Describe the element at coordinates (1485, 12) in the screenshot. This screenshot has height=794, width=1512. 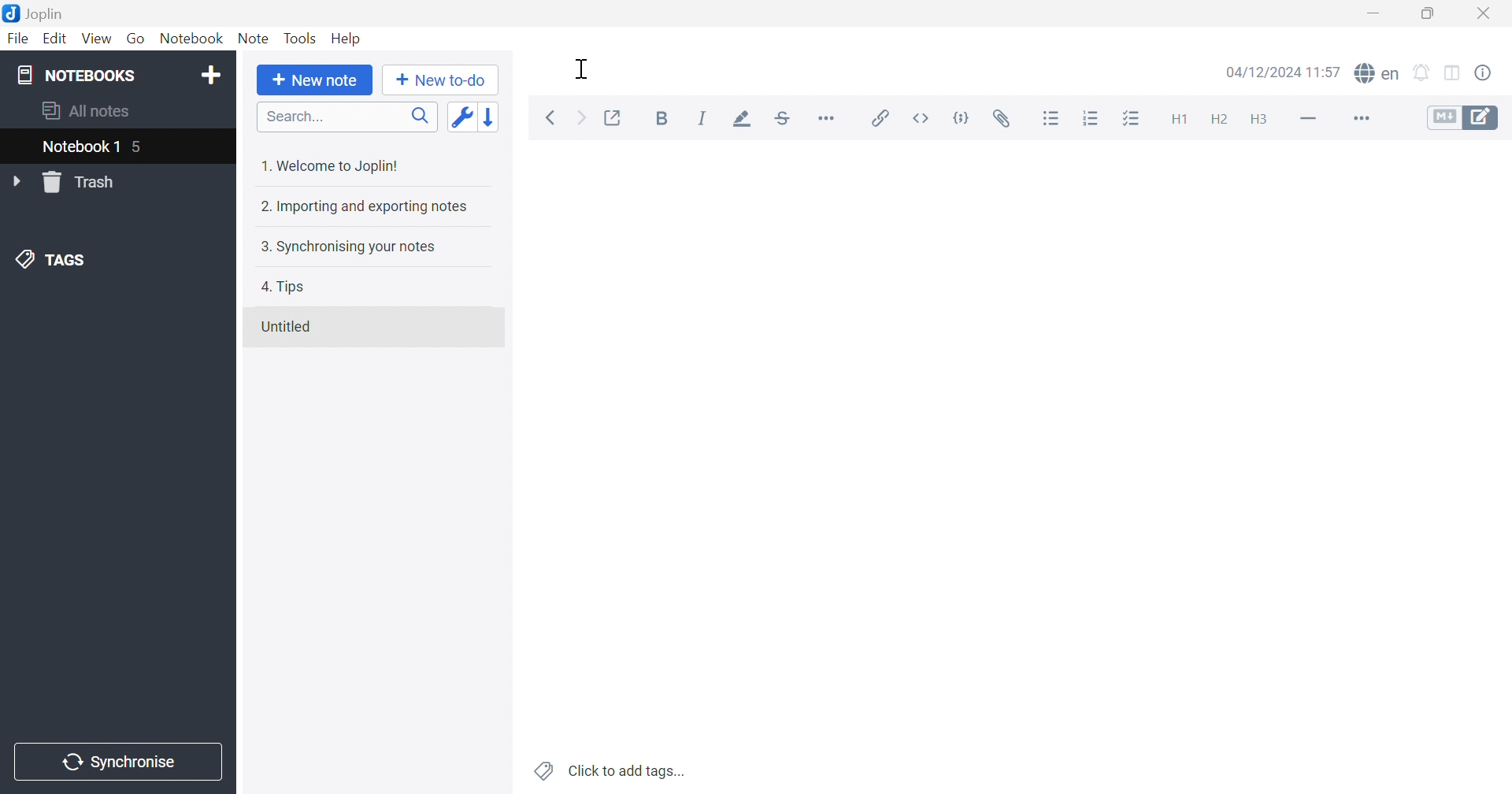
I see `Close` at that location.